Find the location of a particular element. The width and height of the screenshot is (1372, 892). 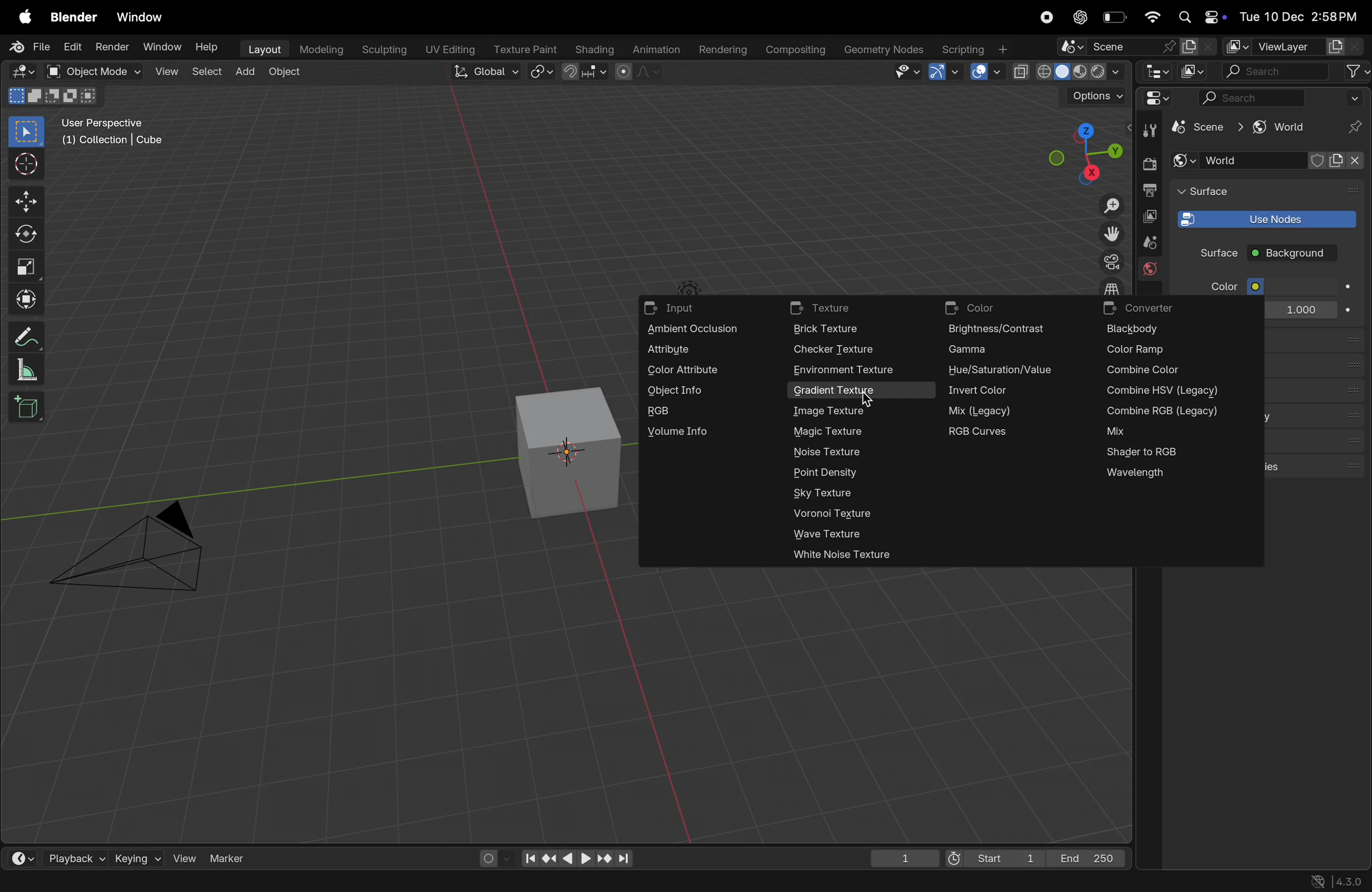

End is located at coordinates (1090, 856).